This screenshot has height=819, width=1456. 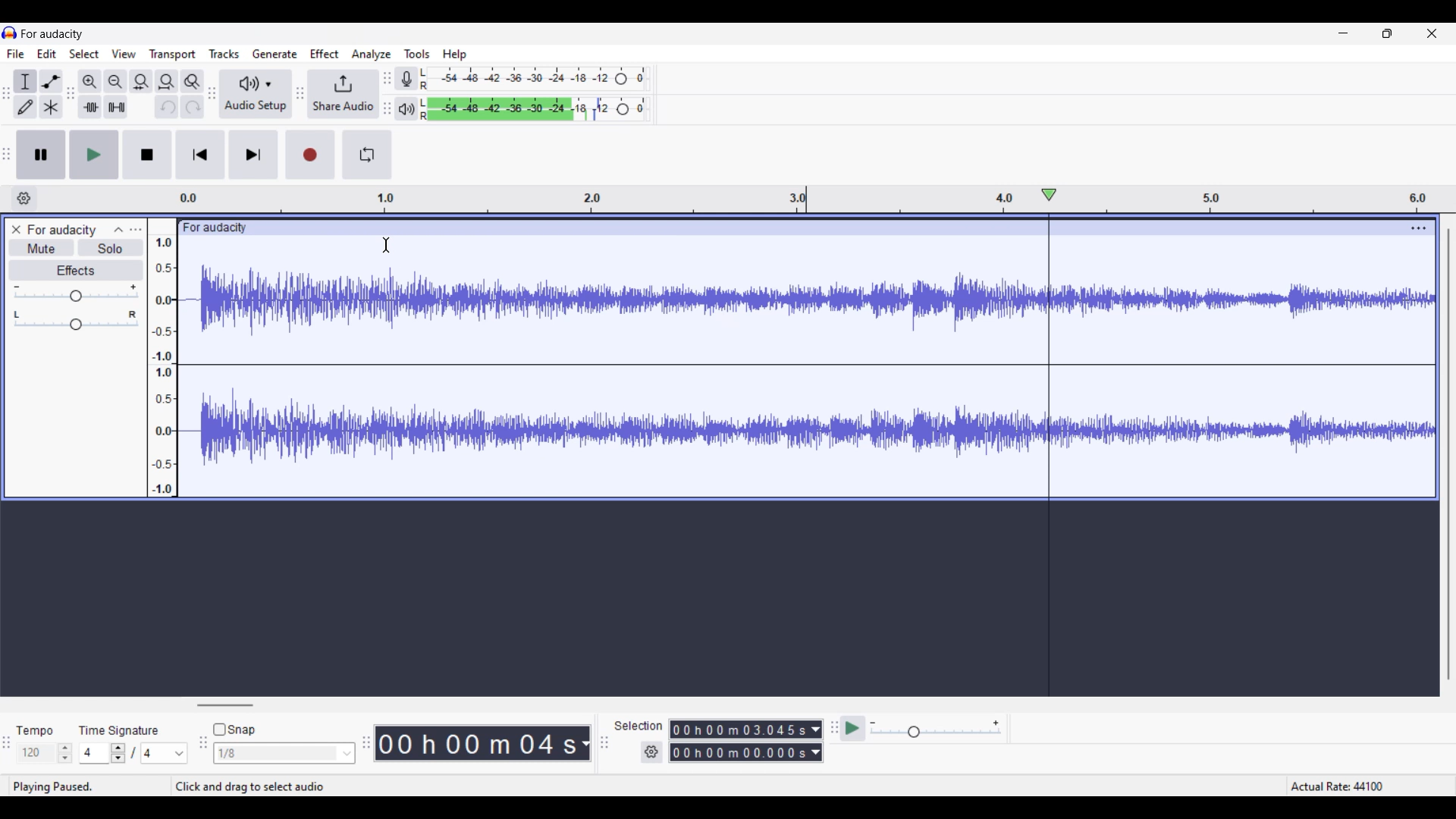 What do you see at coordinates (275, 54) in the screenshot?
I see `Generate menu` at bounding box center [275, 54].